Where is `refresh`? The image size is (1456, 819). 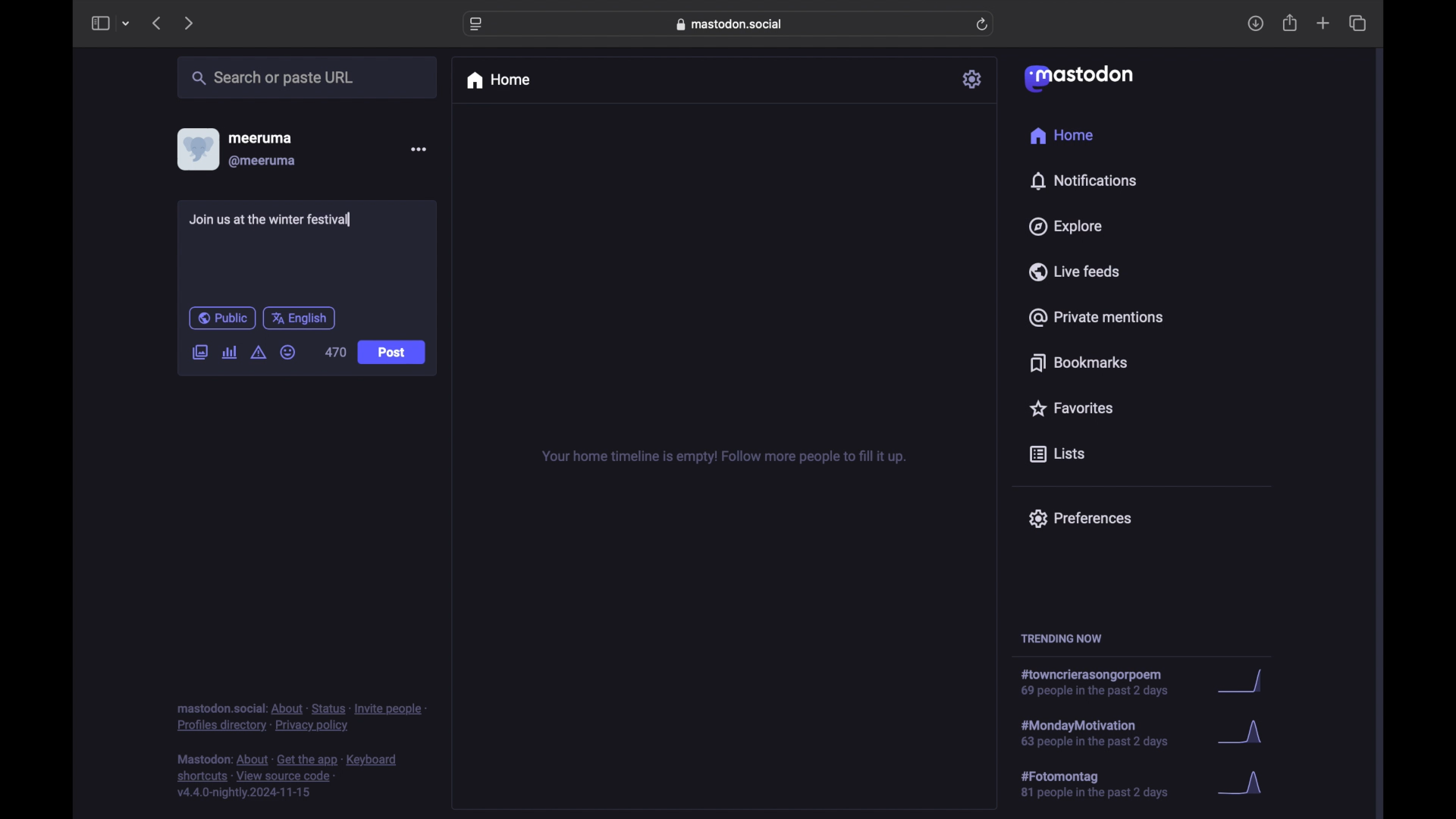
refresh is located at coordinates (984, 25).